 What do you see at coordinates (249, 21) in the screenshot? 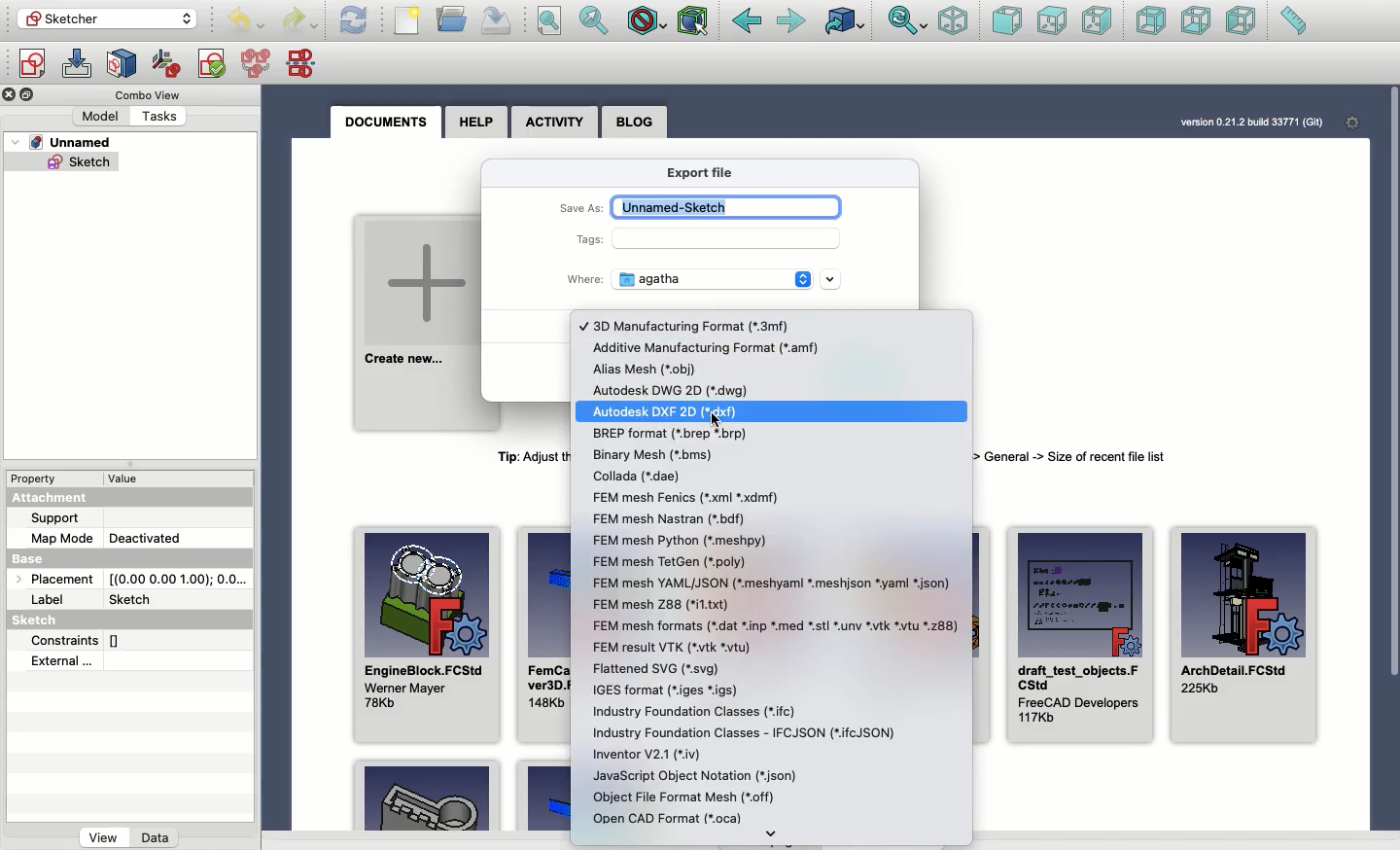
I see `Undo` at bounding box center [249, 21].